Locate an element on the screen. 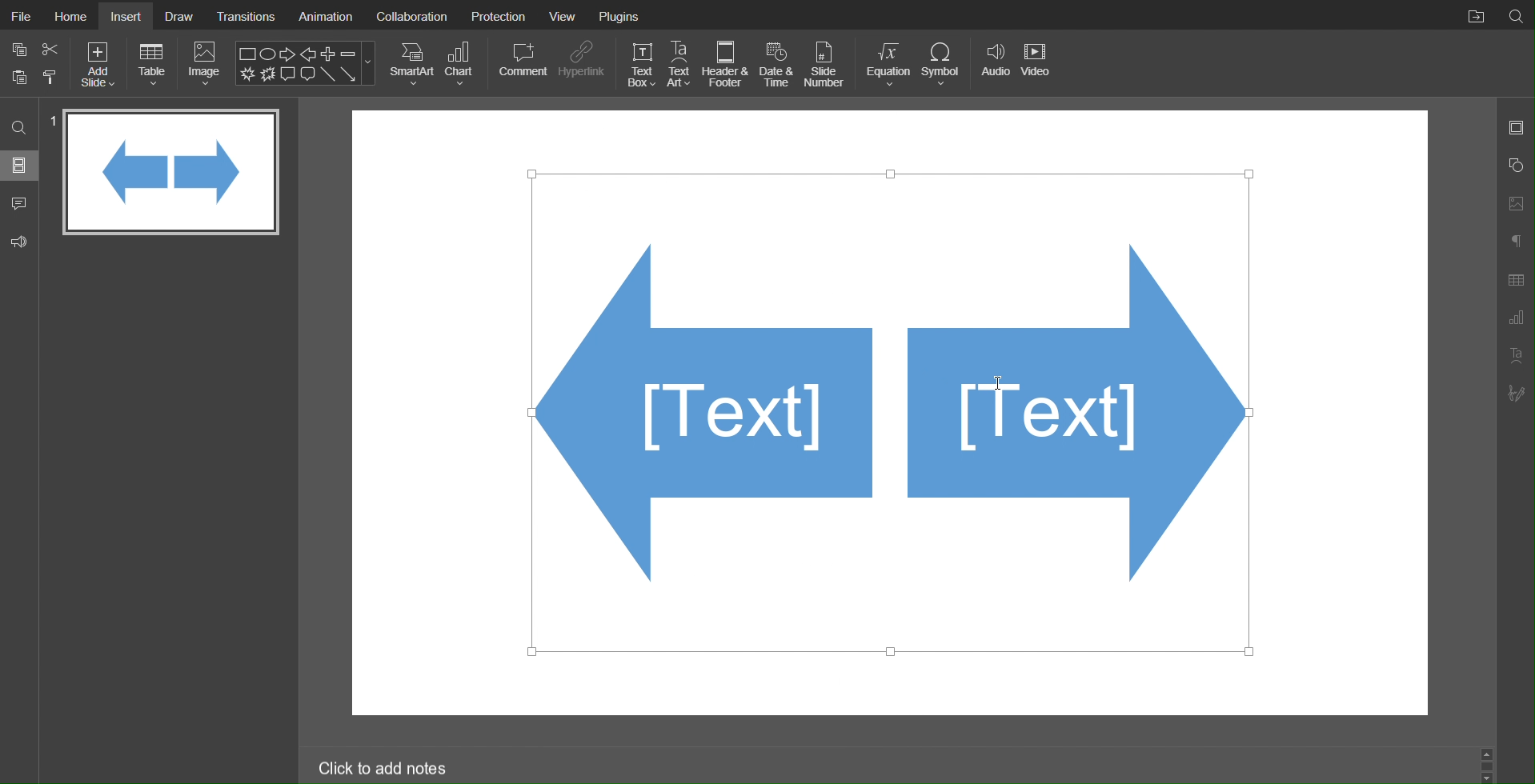  Header & Footer is located at coordinates (727, 64).